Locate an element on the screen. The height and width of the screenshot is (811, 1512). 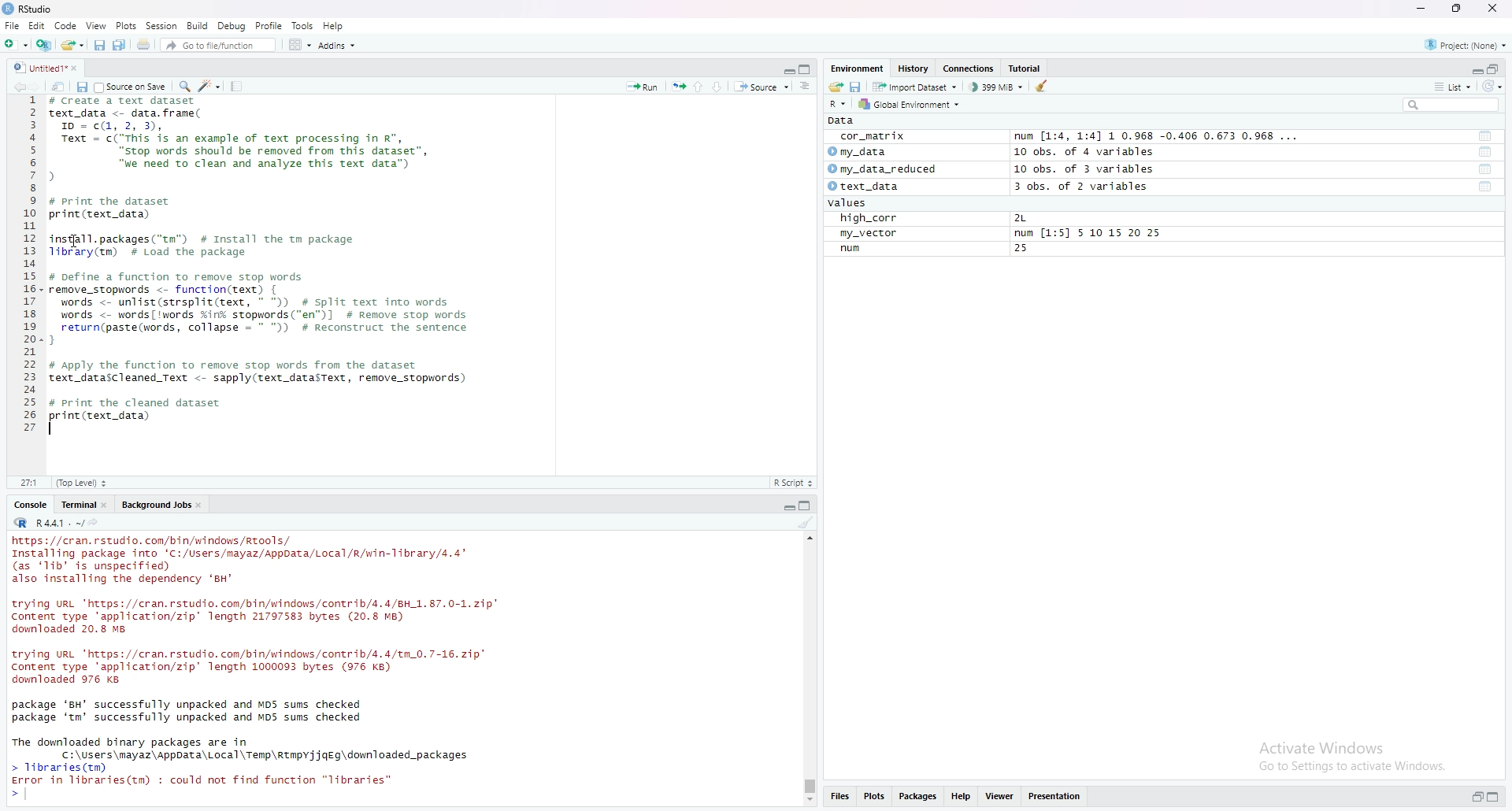
save workspace is located at coordinates (857, 87).